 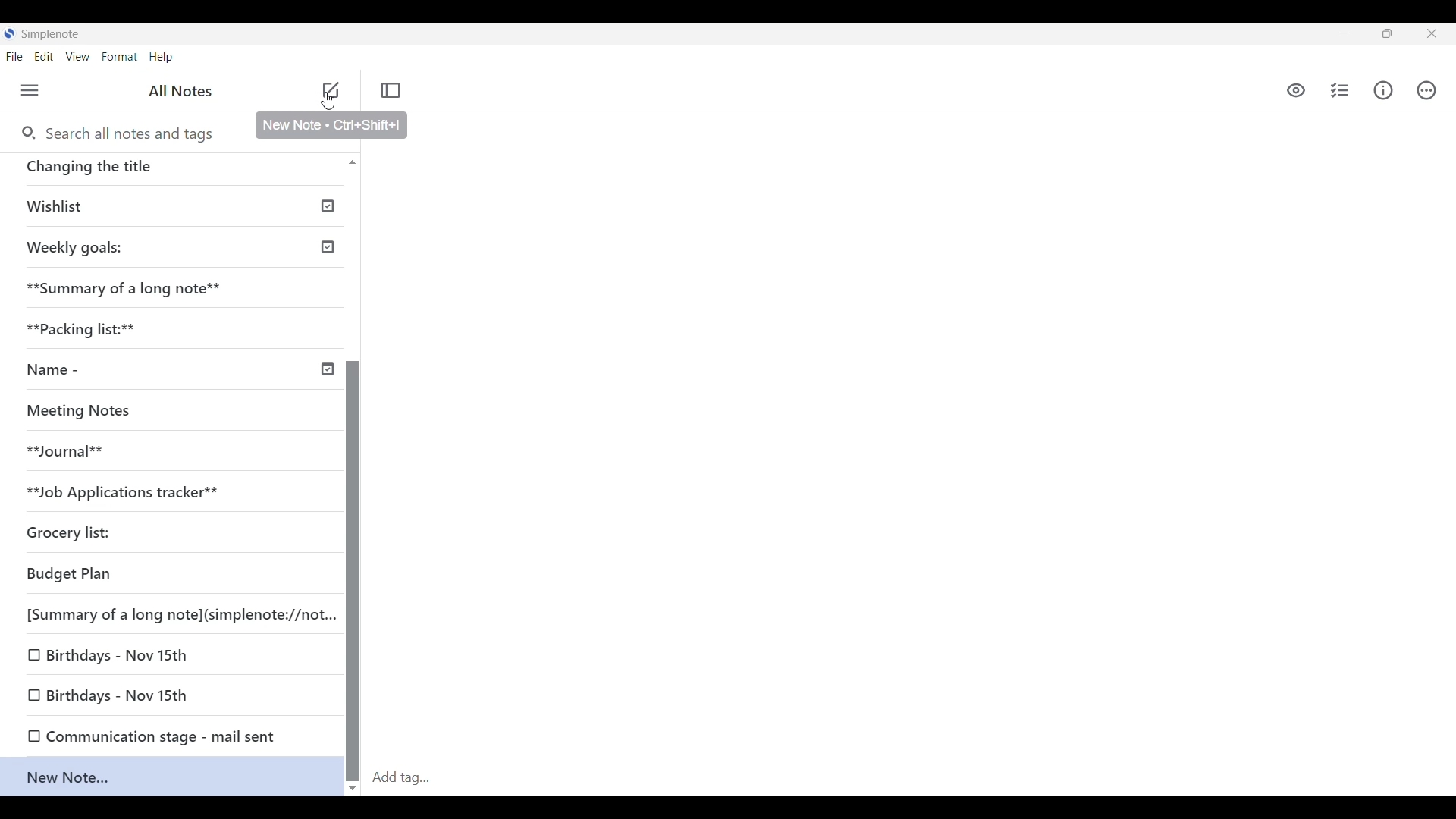 I want to click on Journal, so click(x=63, y=447).